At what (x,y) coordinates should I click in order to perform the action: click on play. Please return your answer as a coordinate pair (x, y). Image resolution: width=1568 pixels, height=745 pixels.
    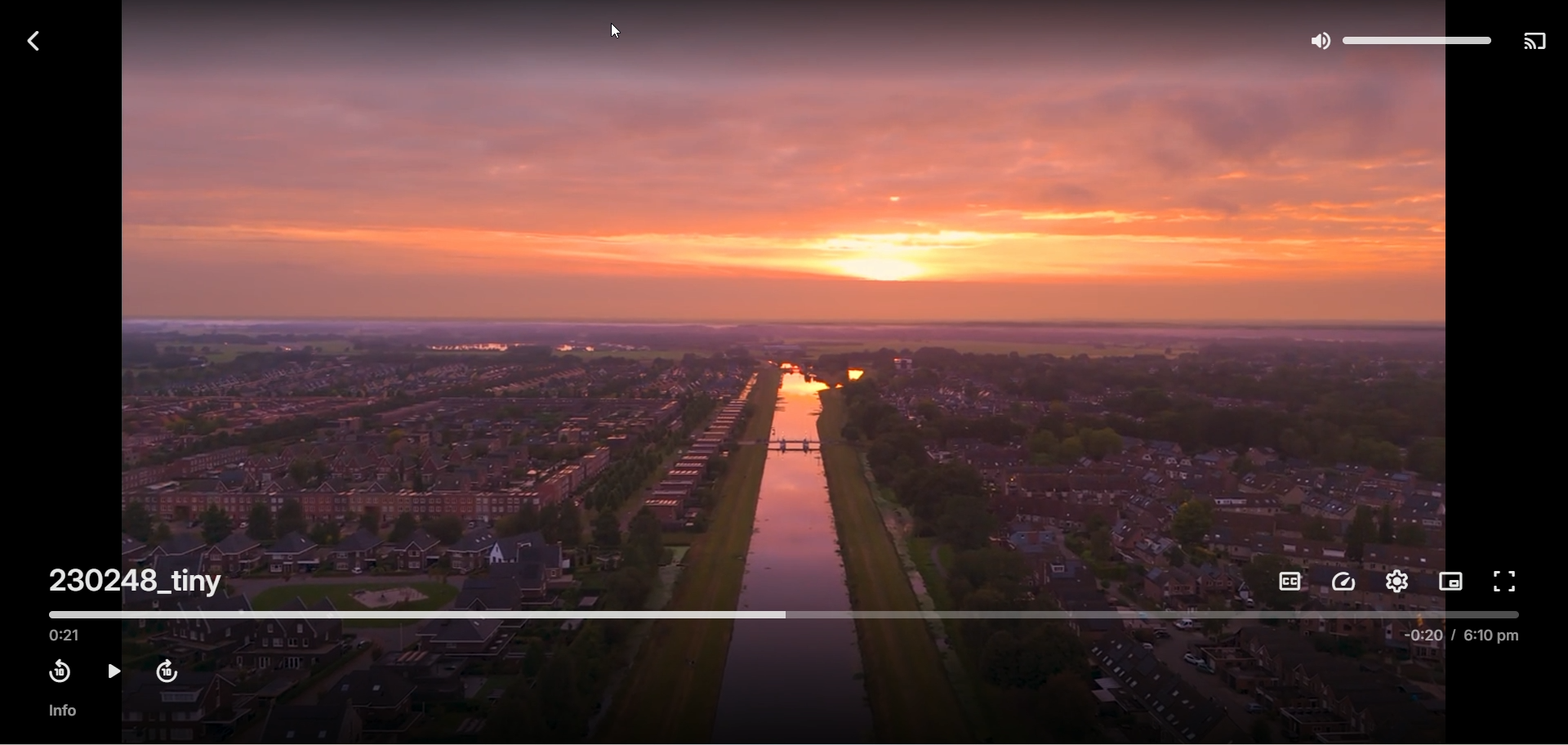
    Looking at the image, I should click on (111, 673).